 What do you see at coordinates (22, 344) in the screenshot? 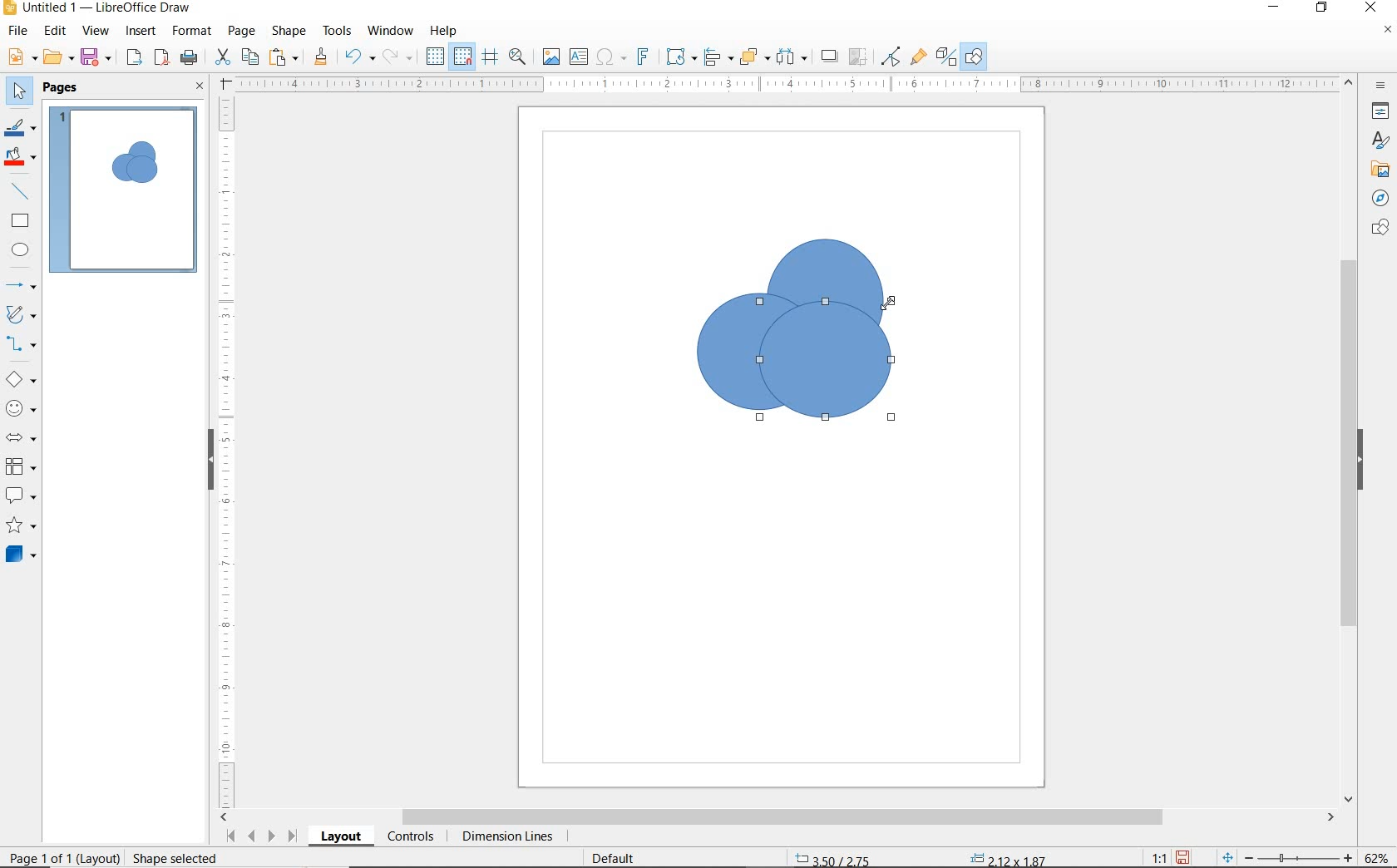
I see `CONNECTORS` at bounding box center [22, 344].